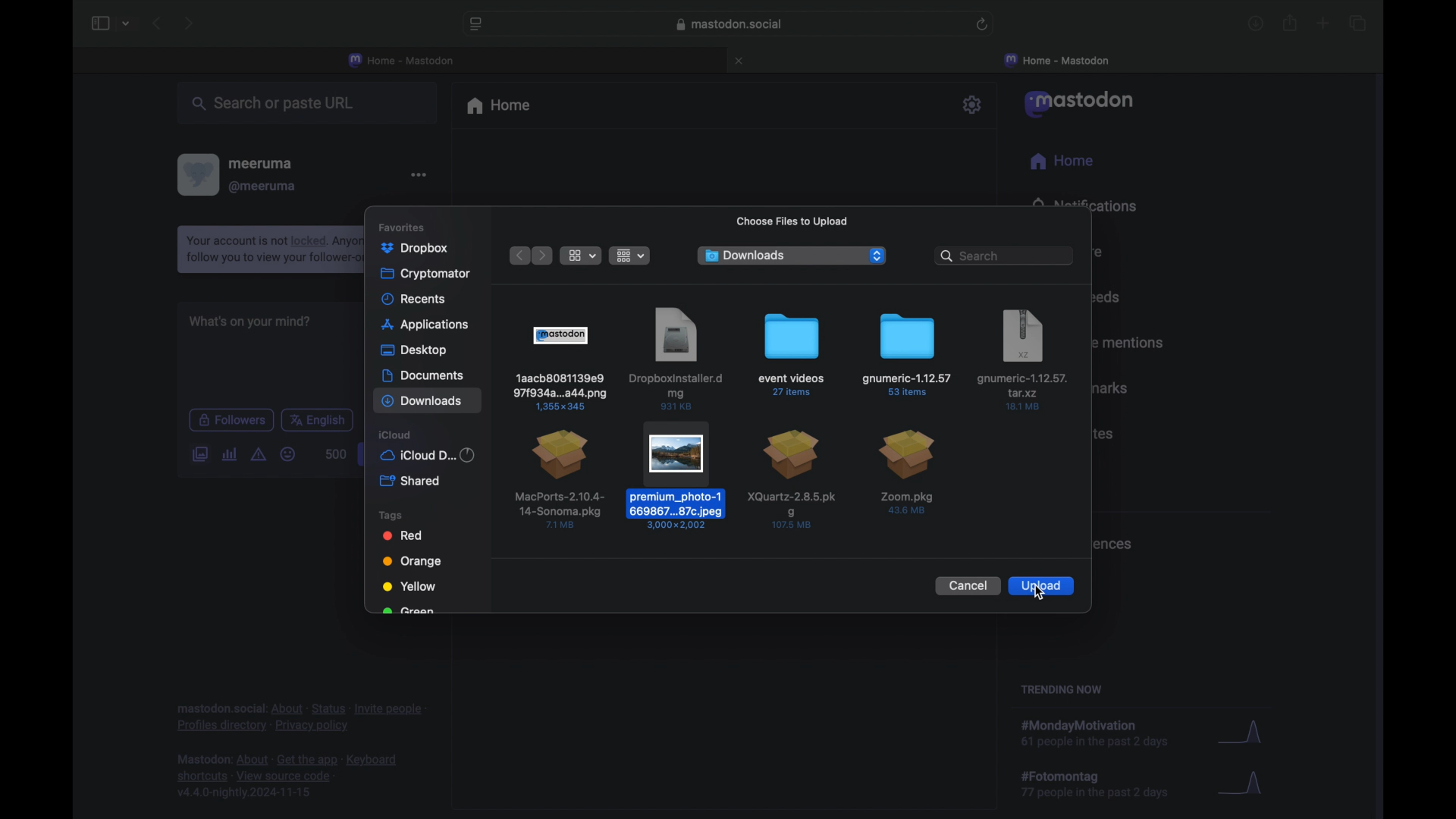 The height and width of the screenshot is (819, 1456). What do you see at coordinates (411, 481) in the screenshot?
I see `shared` at bounding box center [411, 481].